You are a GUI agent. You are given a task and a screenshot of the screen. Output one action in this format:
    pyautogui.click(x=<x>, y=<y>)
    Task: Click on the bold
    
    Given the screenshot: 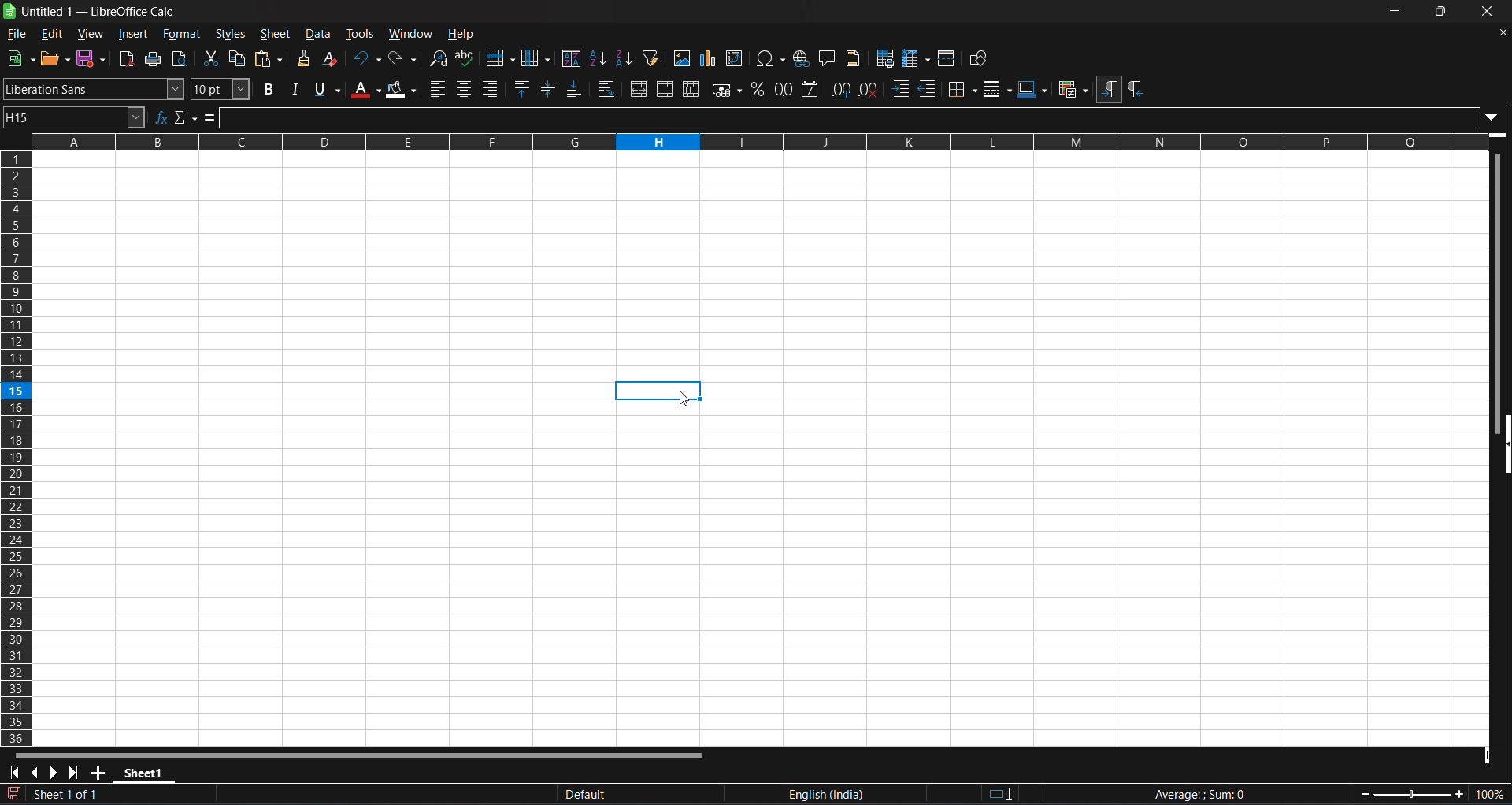 What is the action you would take?
    pyautogui.click(x=269, y=91)
    